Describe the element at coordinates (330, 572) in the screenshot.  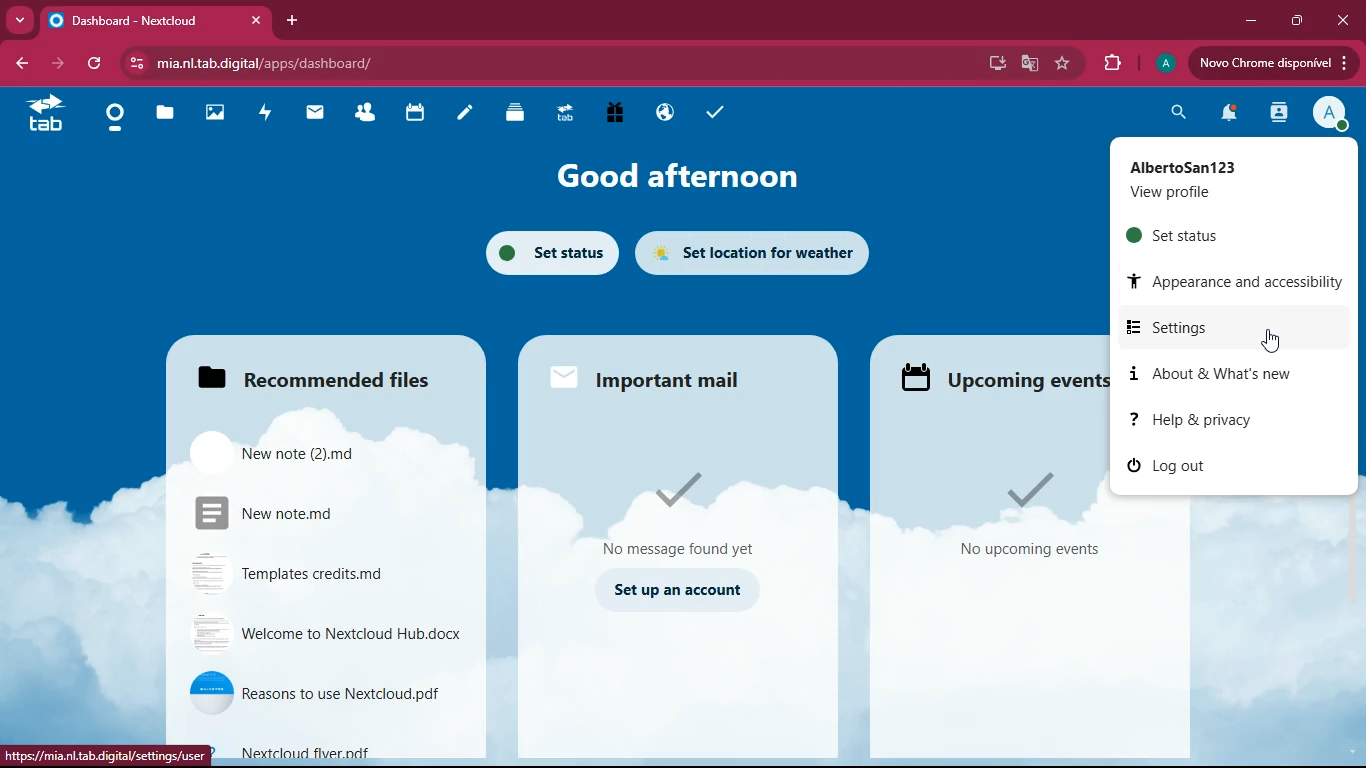
I see `file` at that location.